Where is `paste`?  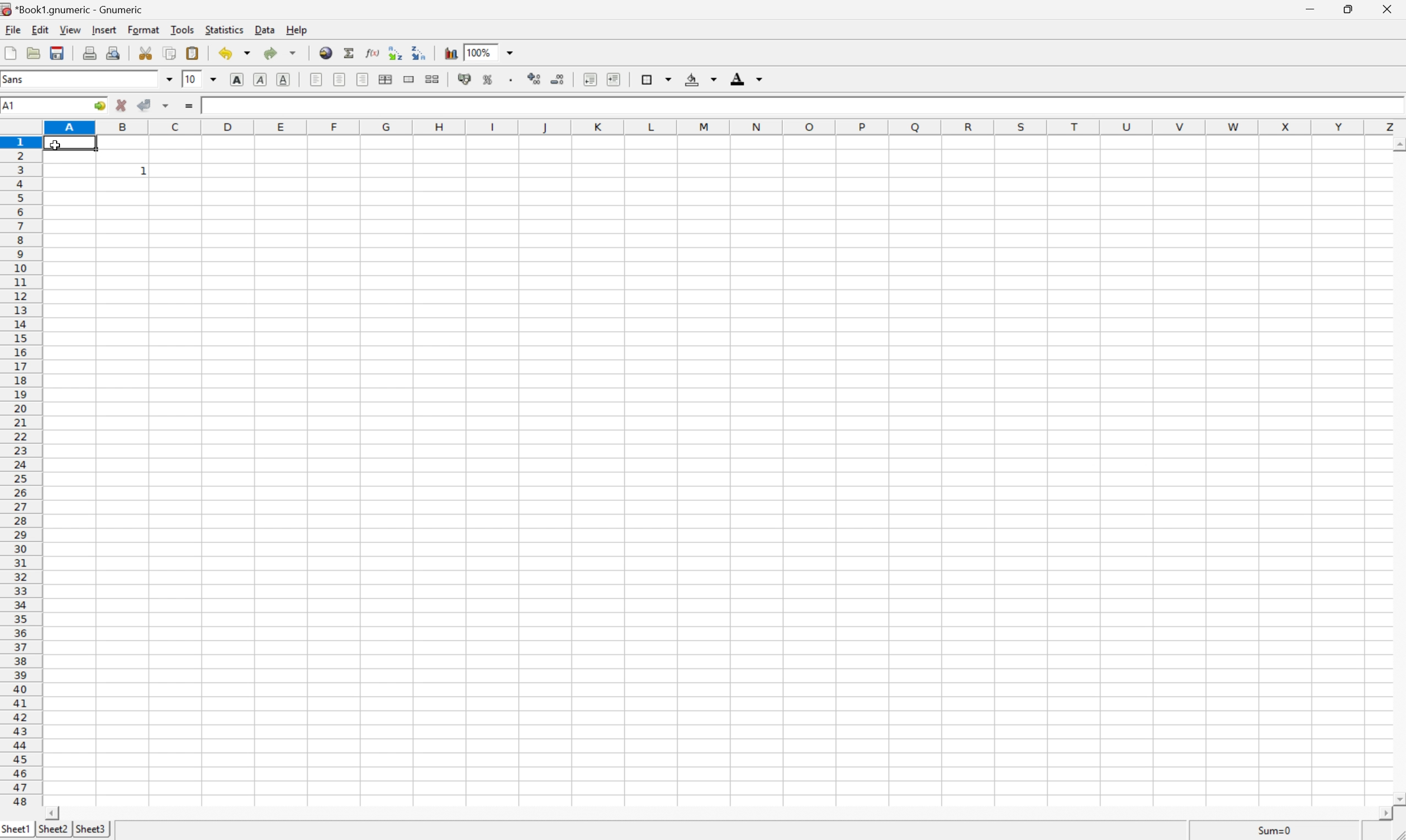
paste is located at coordinates (194, 53).